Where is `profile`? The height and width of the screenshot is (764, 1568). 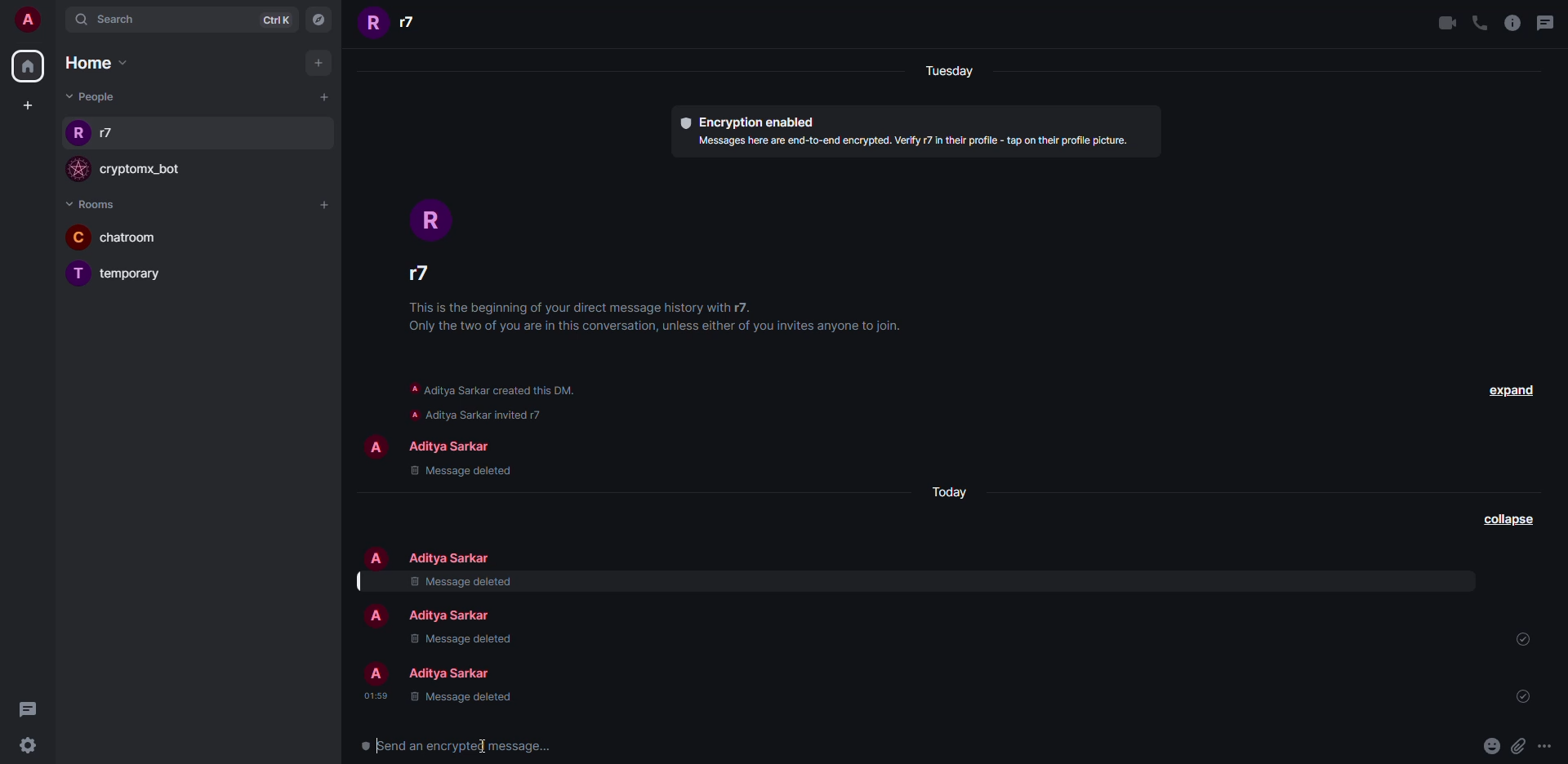
profile is located at coordinates (376, 557).